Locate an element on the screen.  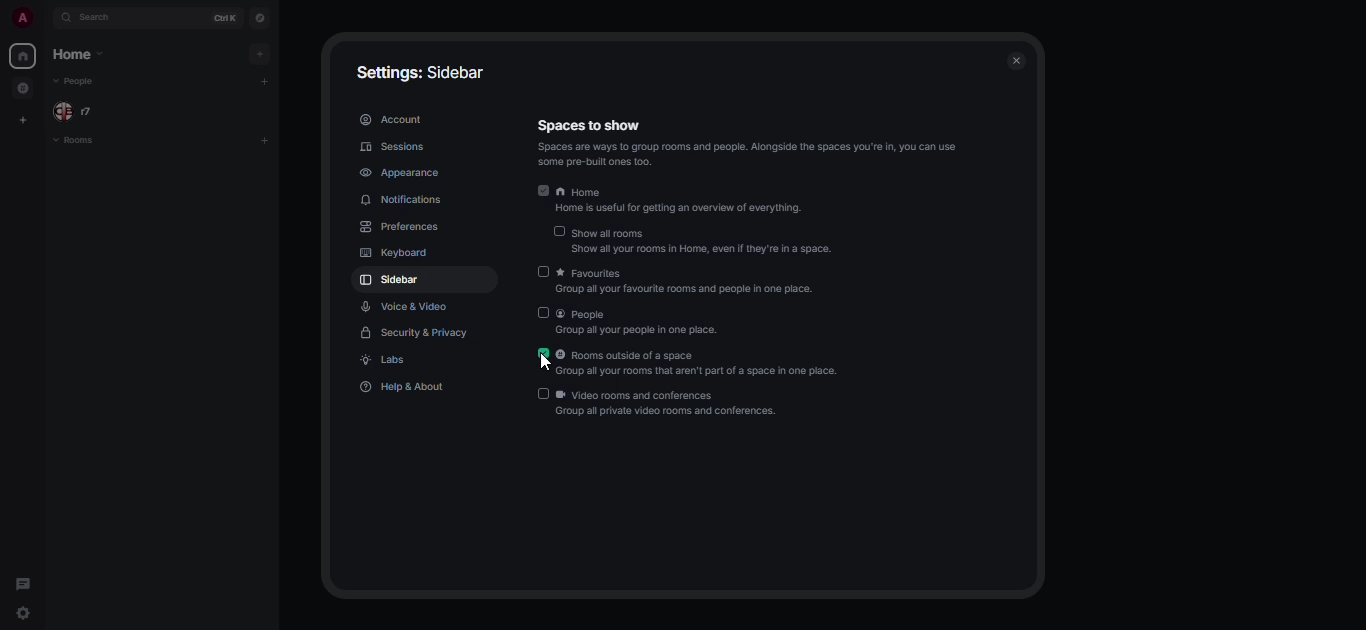
disabled is located at coordinates (558, 231).